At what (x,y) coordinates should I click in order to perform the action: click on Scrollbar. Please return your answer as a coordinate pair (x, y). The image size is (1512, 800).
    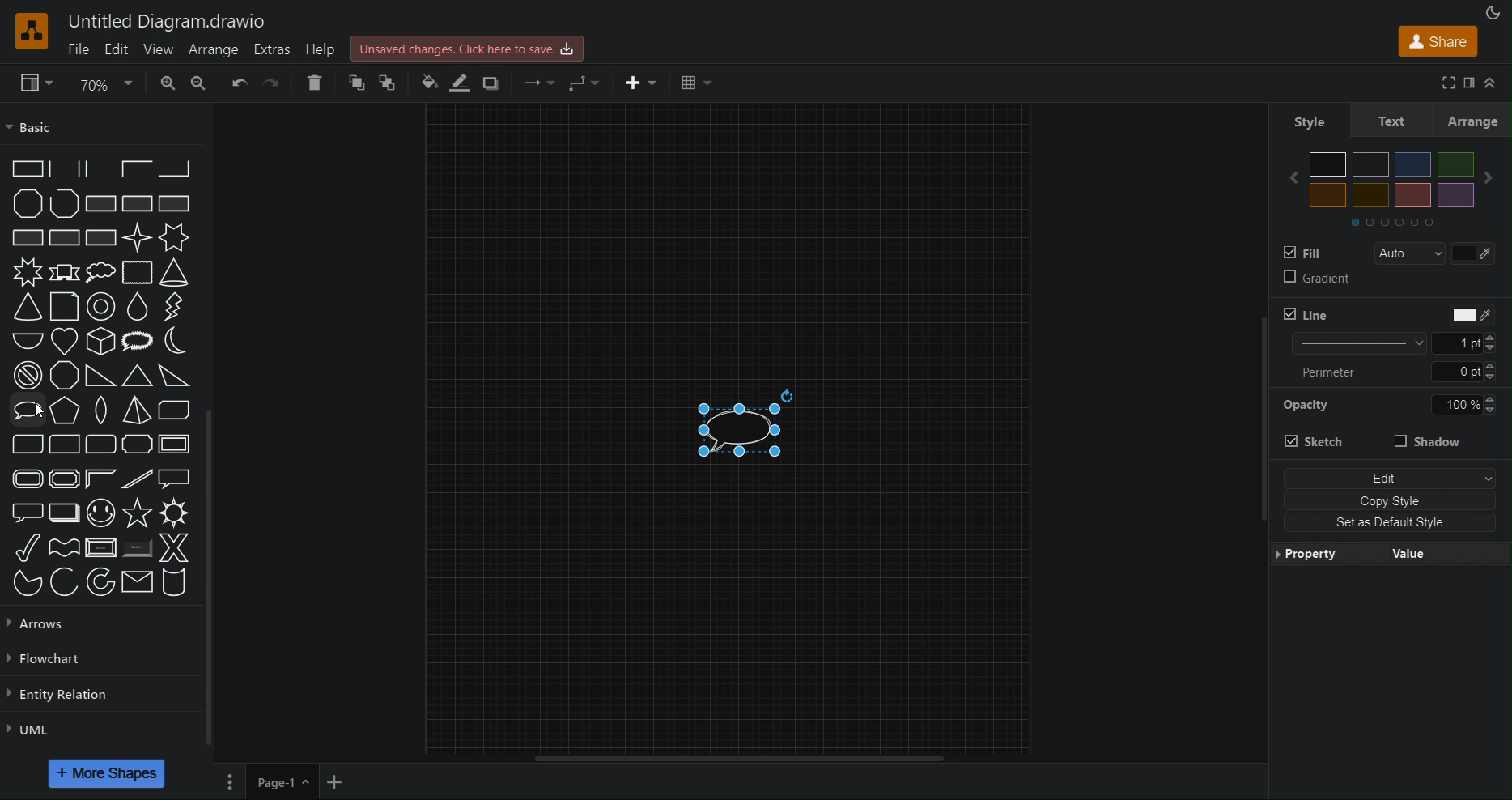
    Looking at the image, I should click on (208, 527).